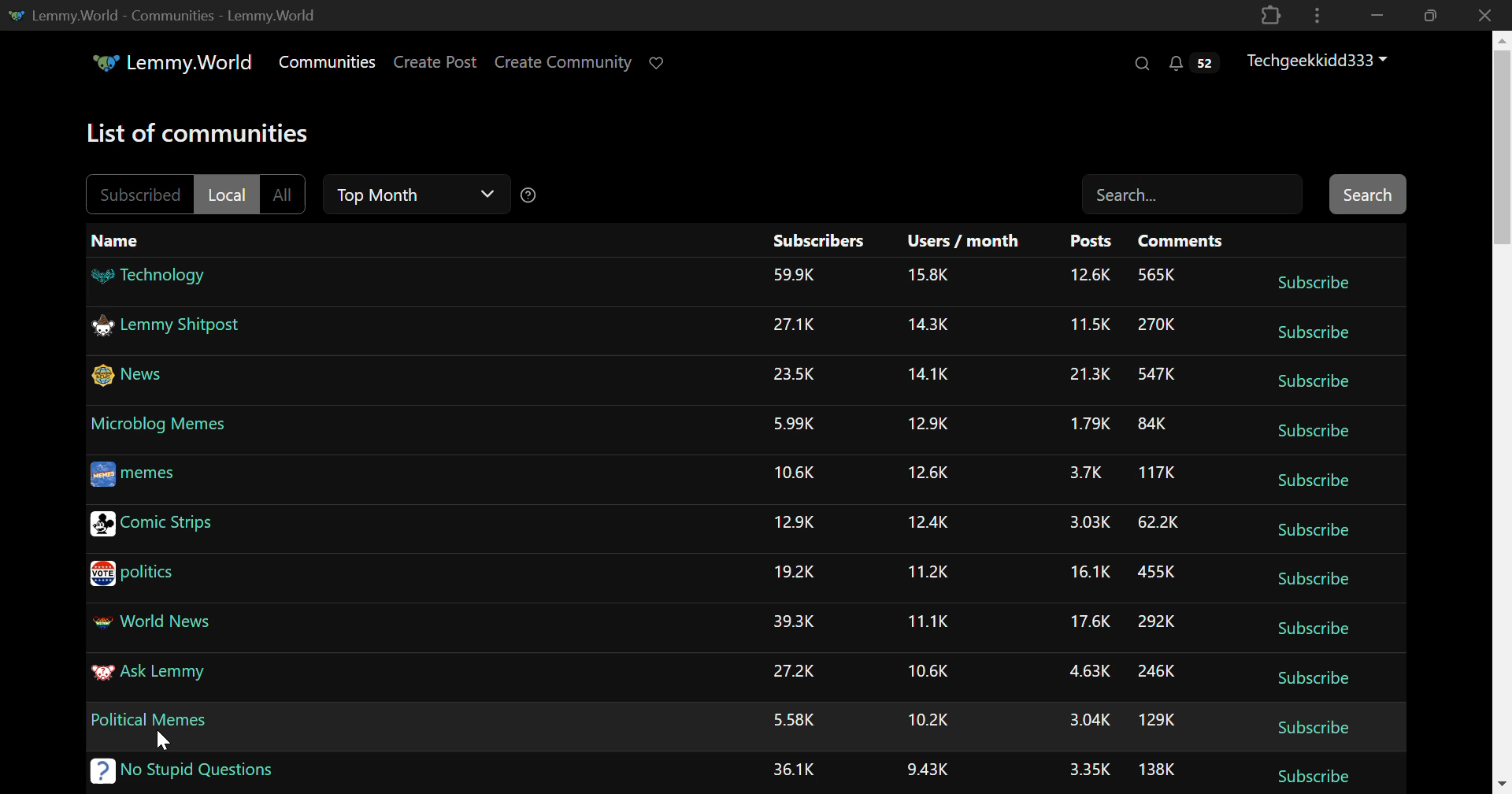  What do you see at coordinates (962, 241) in the screenshot?
I see `Users/month Column Heading` at bounding box center [962, 241].